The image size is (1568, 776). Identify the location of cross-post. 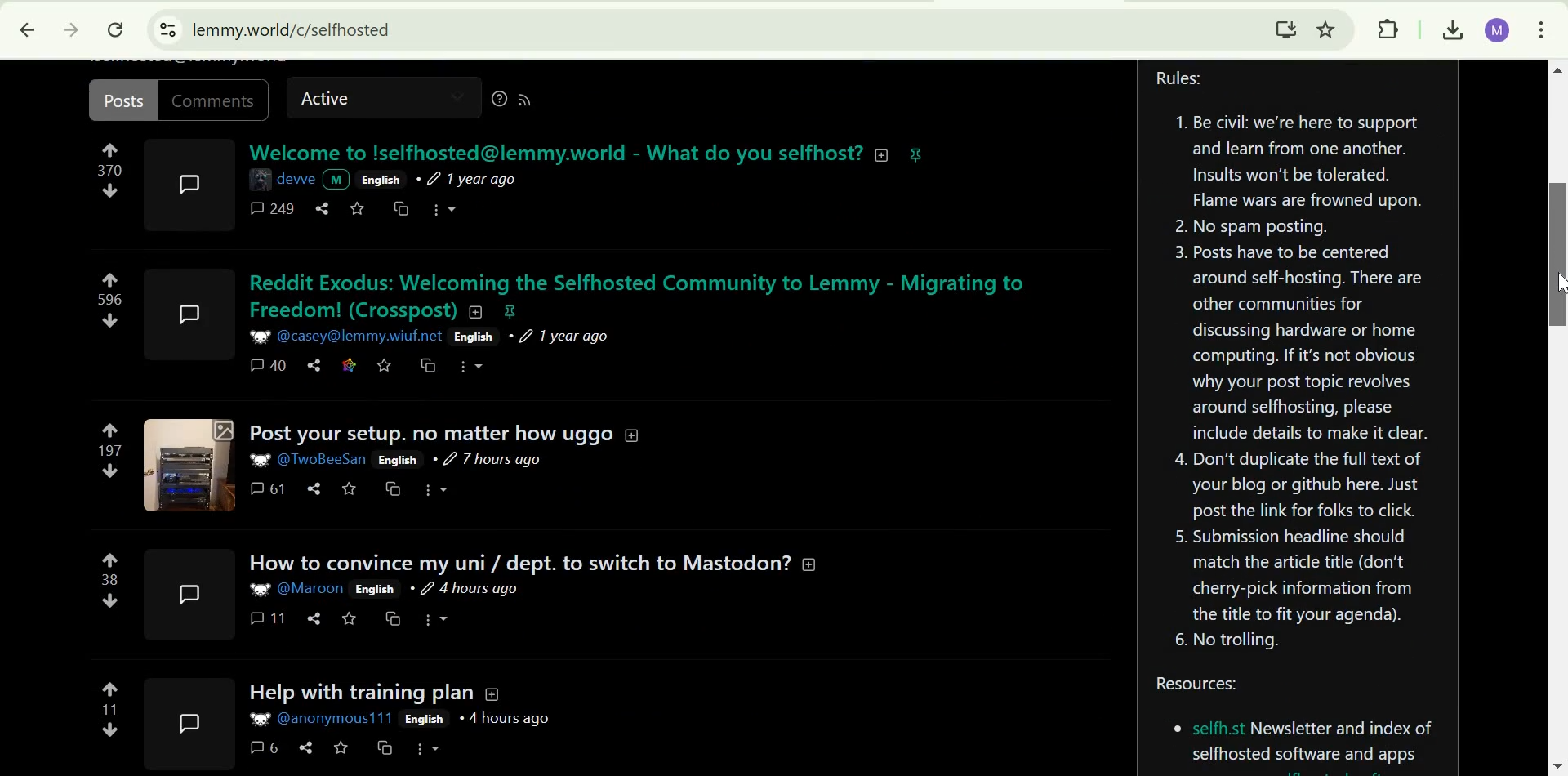
(385, 748).